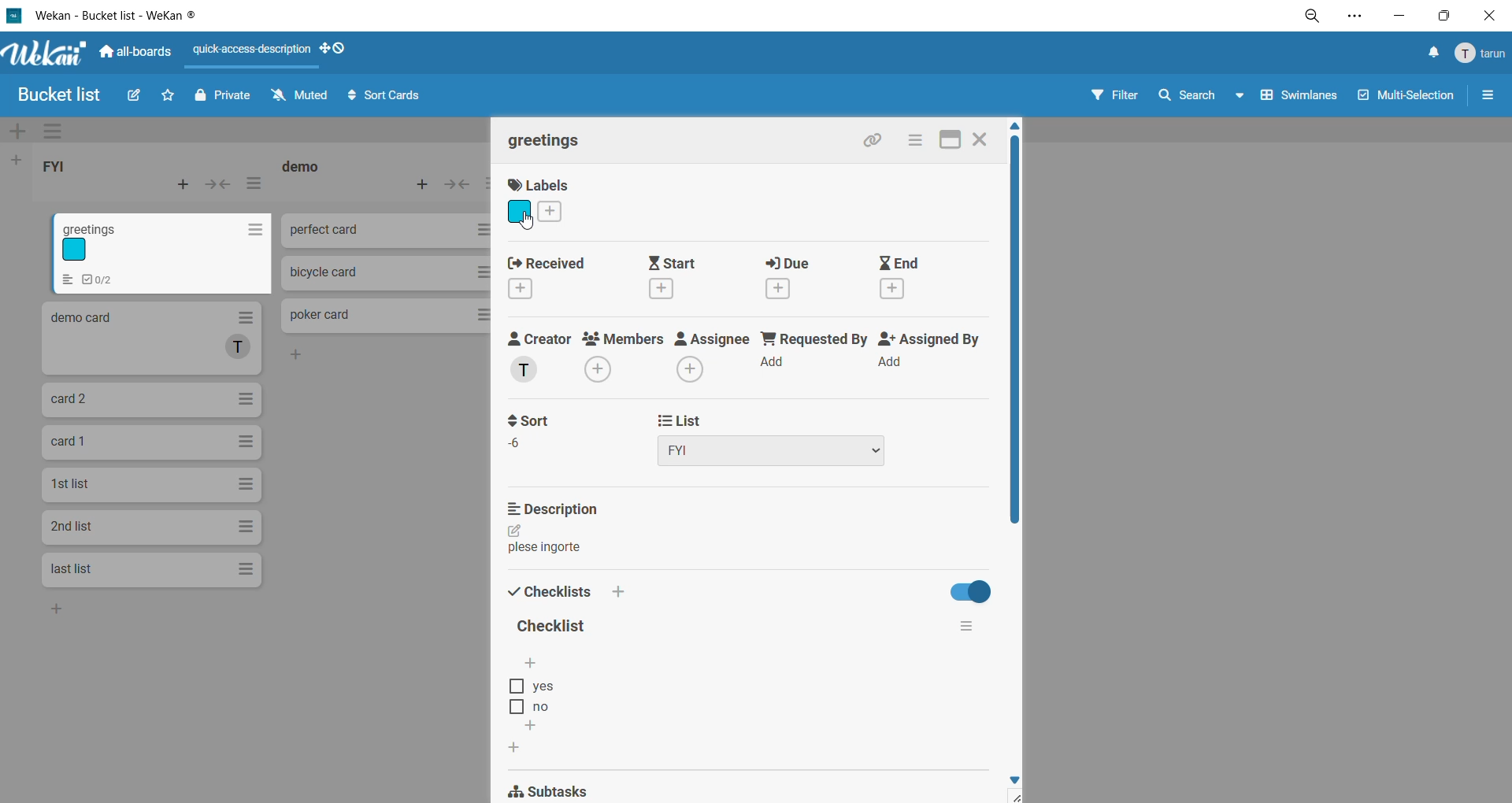 The image size is (1512, 803). What do you see at coordinates (539, 432) in the screenshot?
I see `sort` at bounding box center [539, 432].